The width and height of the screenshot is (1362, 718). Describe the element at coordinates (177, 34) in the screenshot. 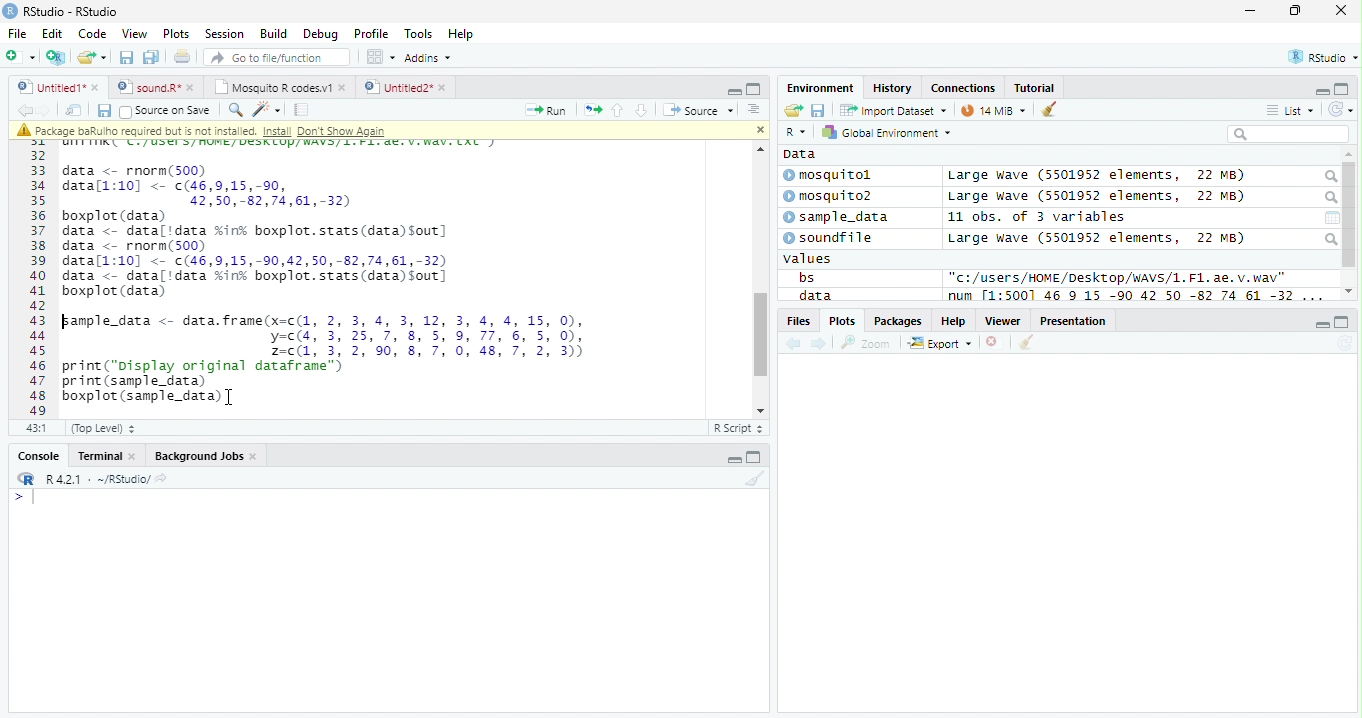

I see `Plots` at that location.